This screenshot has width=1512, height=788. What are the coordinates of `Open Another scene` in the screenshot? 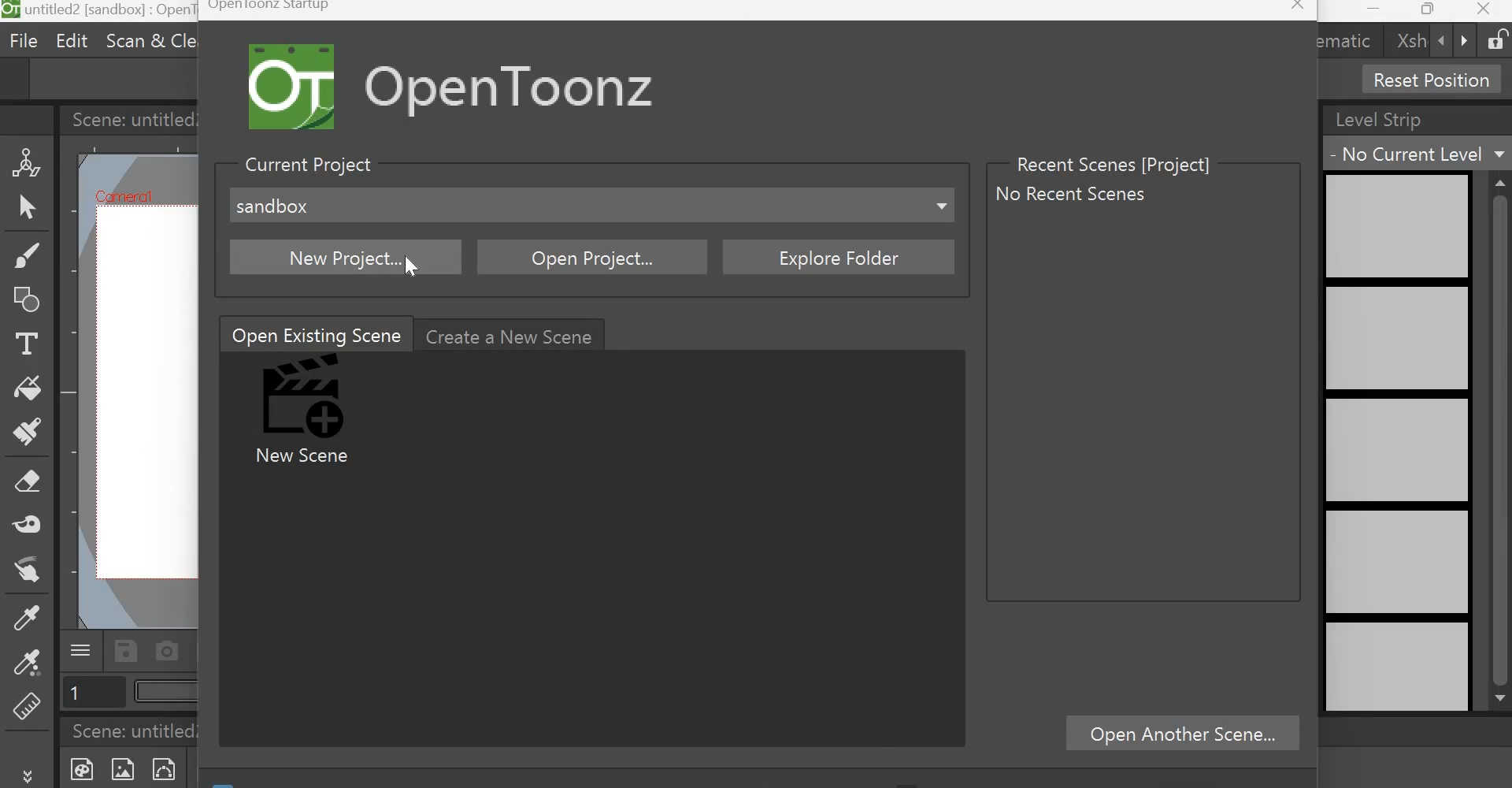 It's located at (1176, 732).